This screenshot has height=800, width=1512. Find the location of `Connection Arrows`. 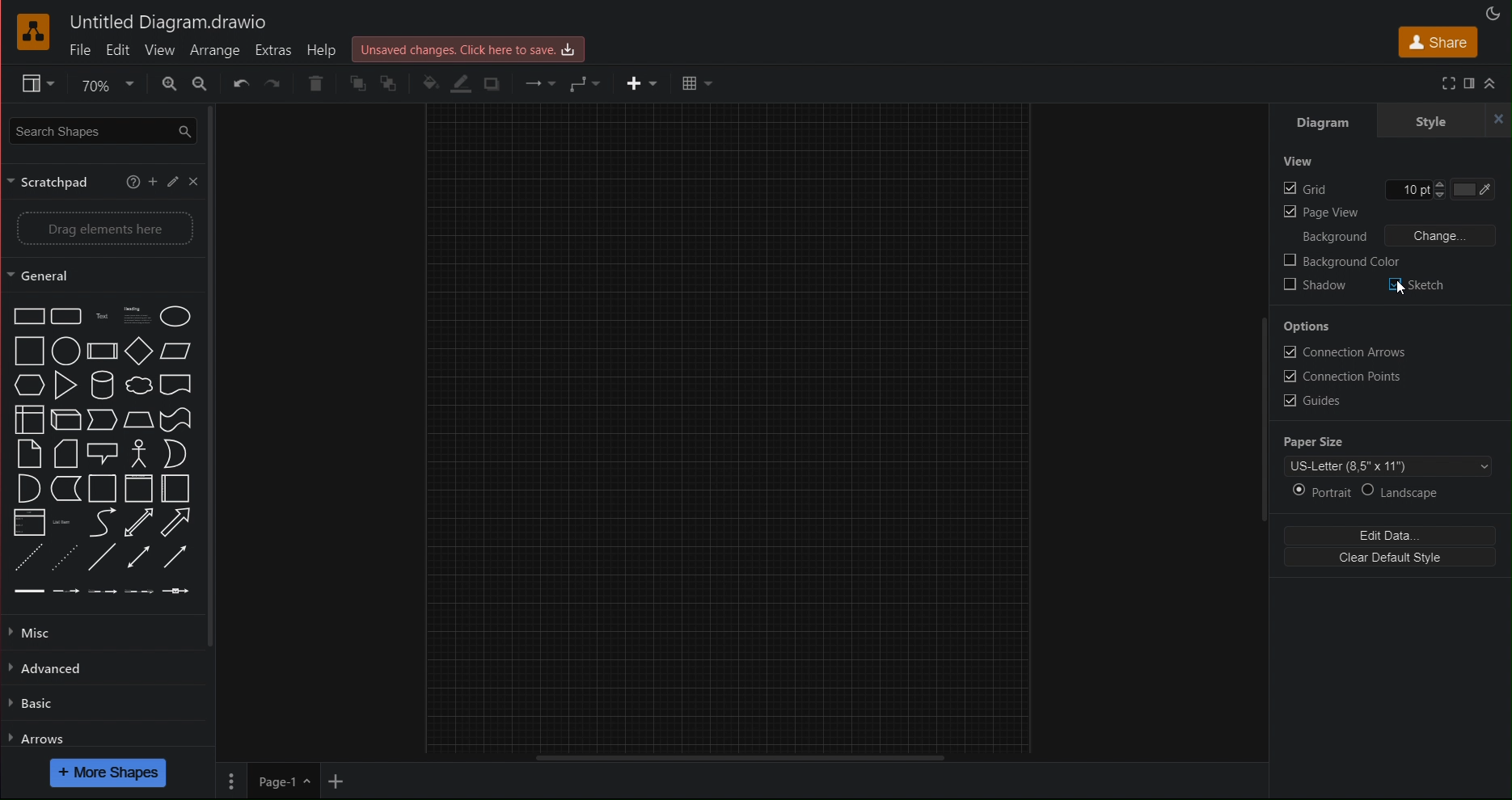

Connection Arrows is located at coordinates (1347, 352).